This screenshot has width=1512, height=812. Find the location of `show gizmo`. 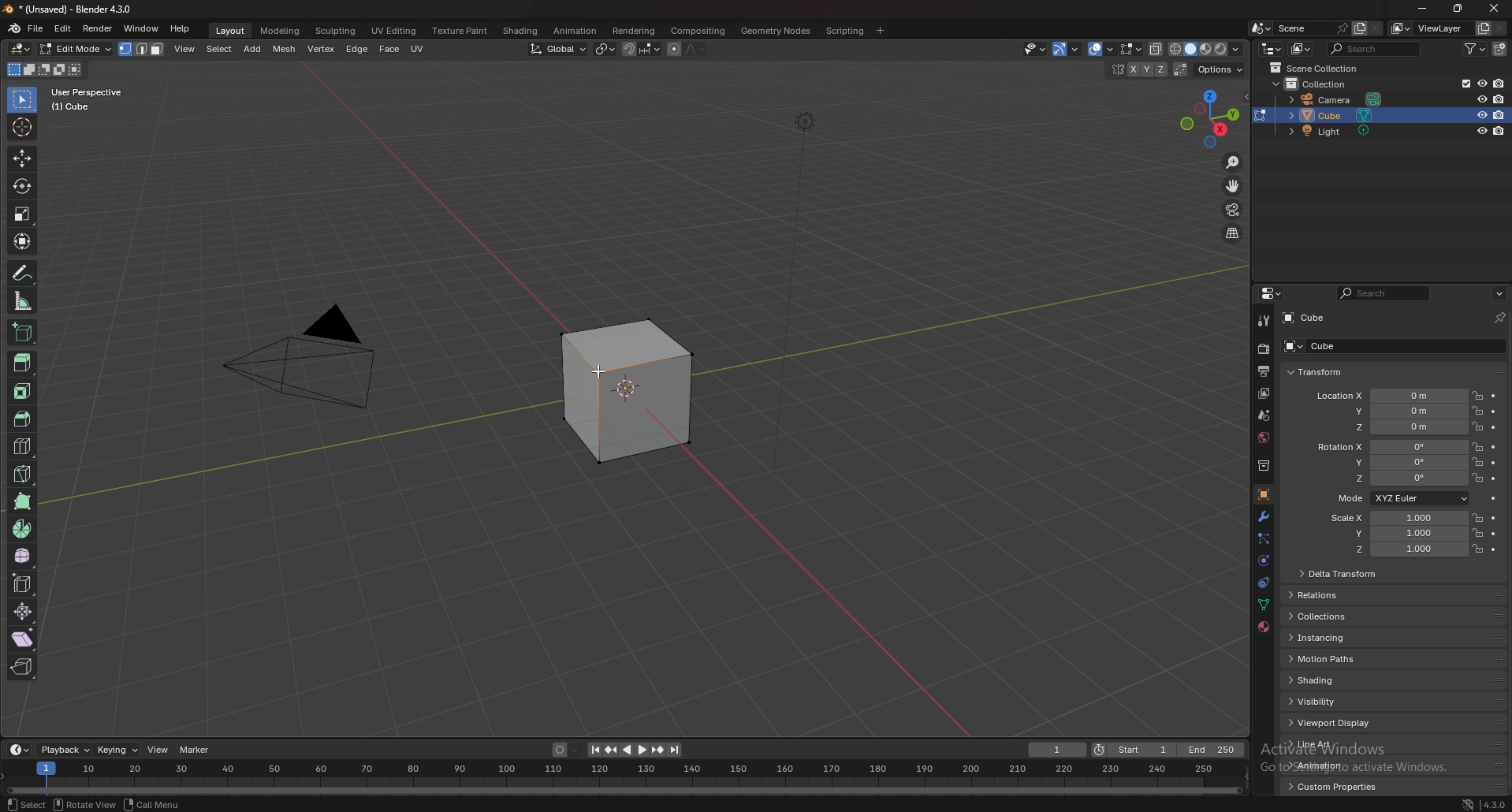

show gizmo is located at coordinates (1093, 50).